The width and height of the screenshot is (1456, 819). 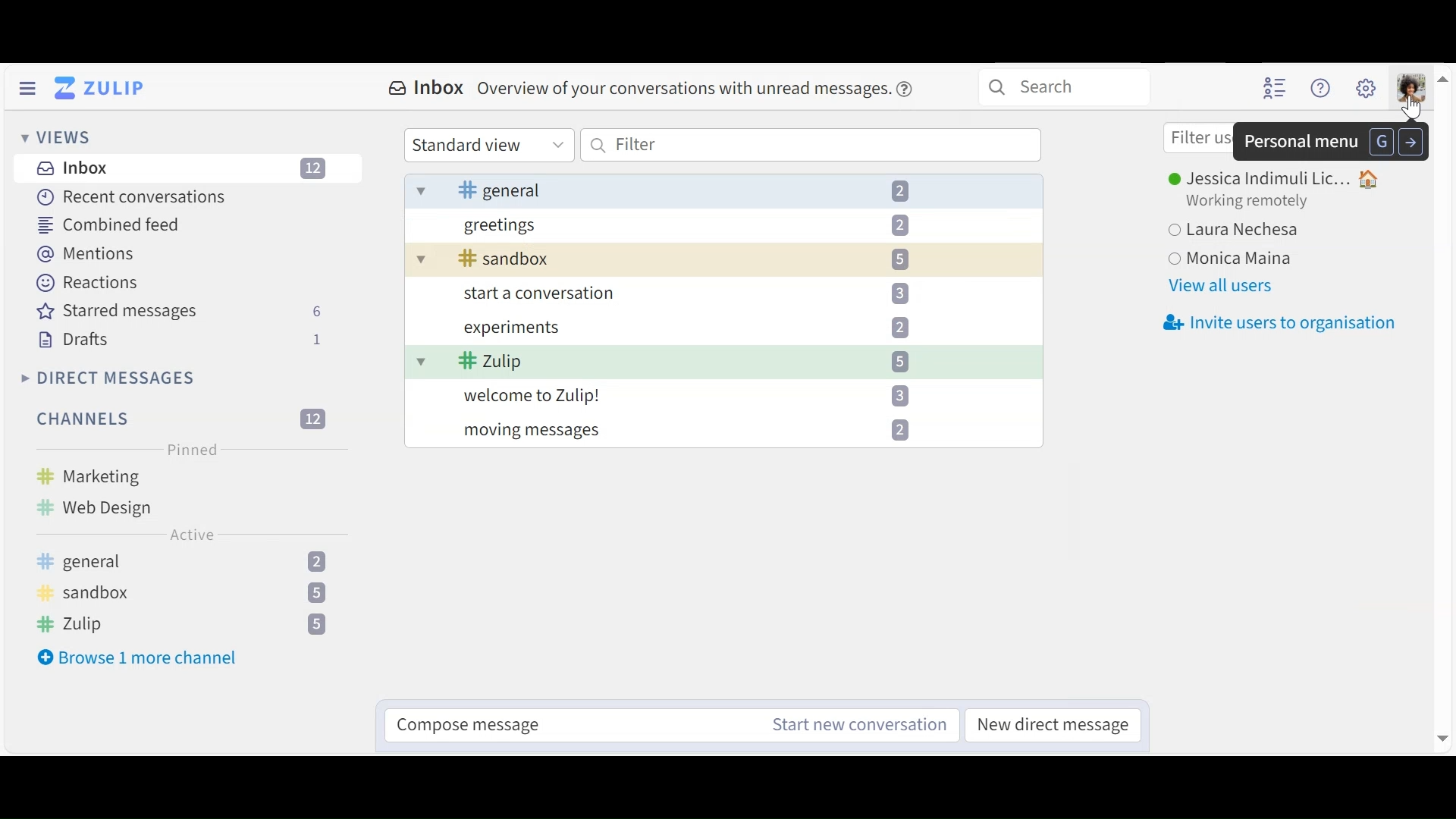 What do you see at coordinates (868, 726) in the screenshot?
I see `Start new conversation` at bounding box center [868, 726].